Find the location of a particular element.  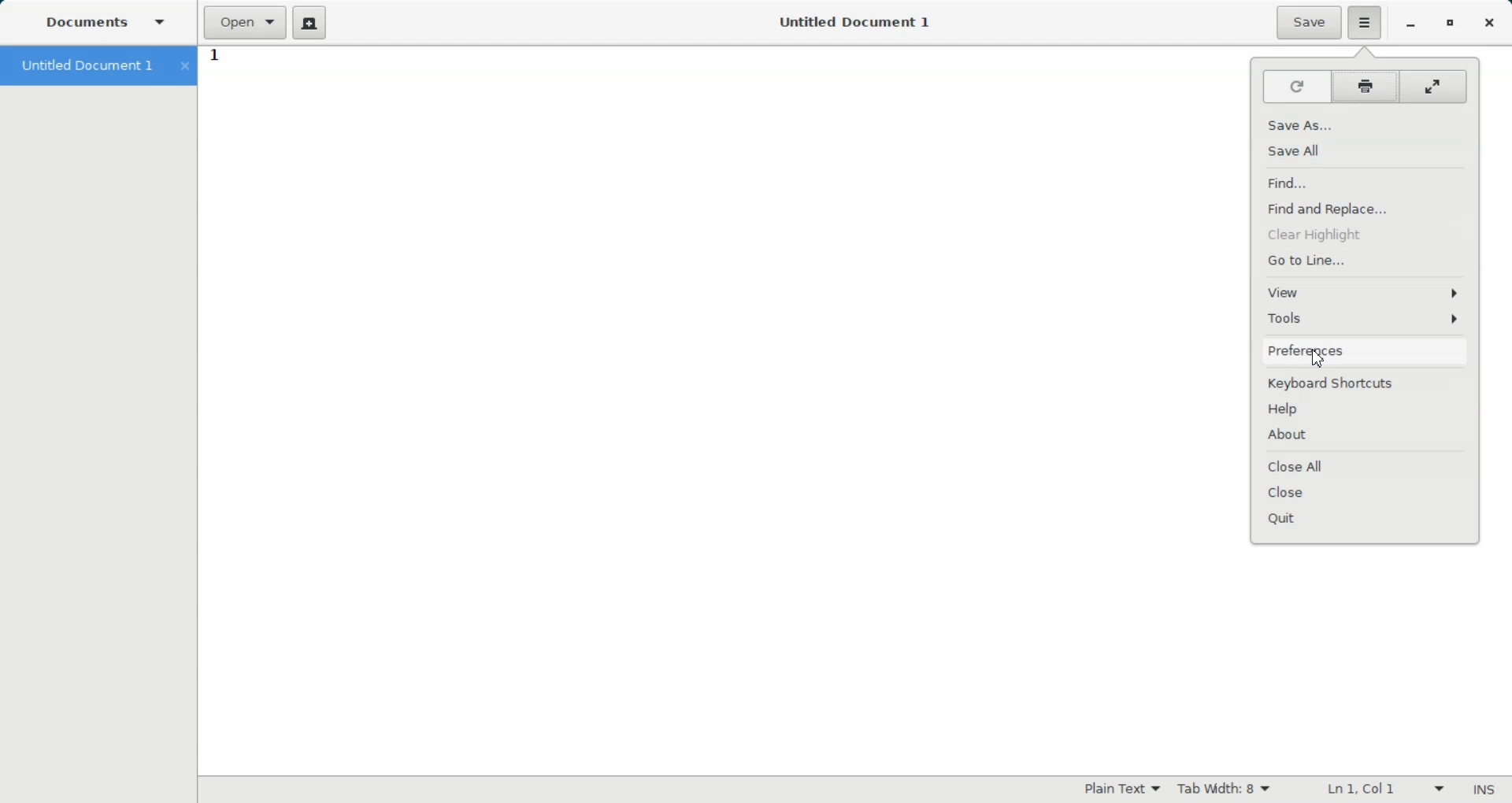

Tab width is located at coordinates (1225, 788).